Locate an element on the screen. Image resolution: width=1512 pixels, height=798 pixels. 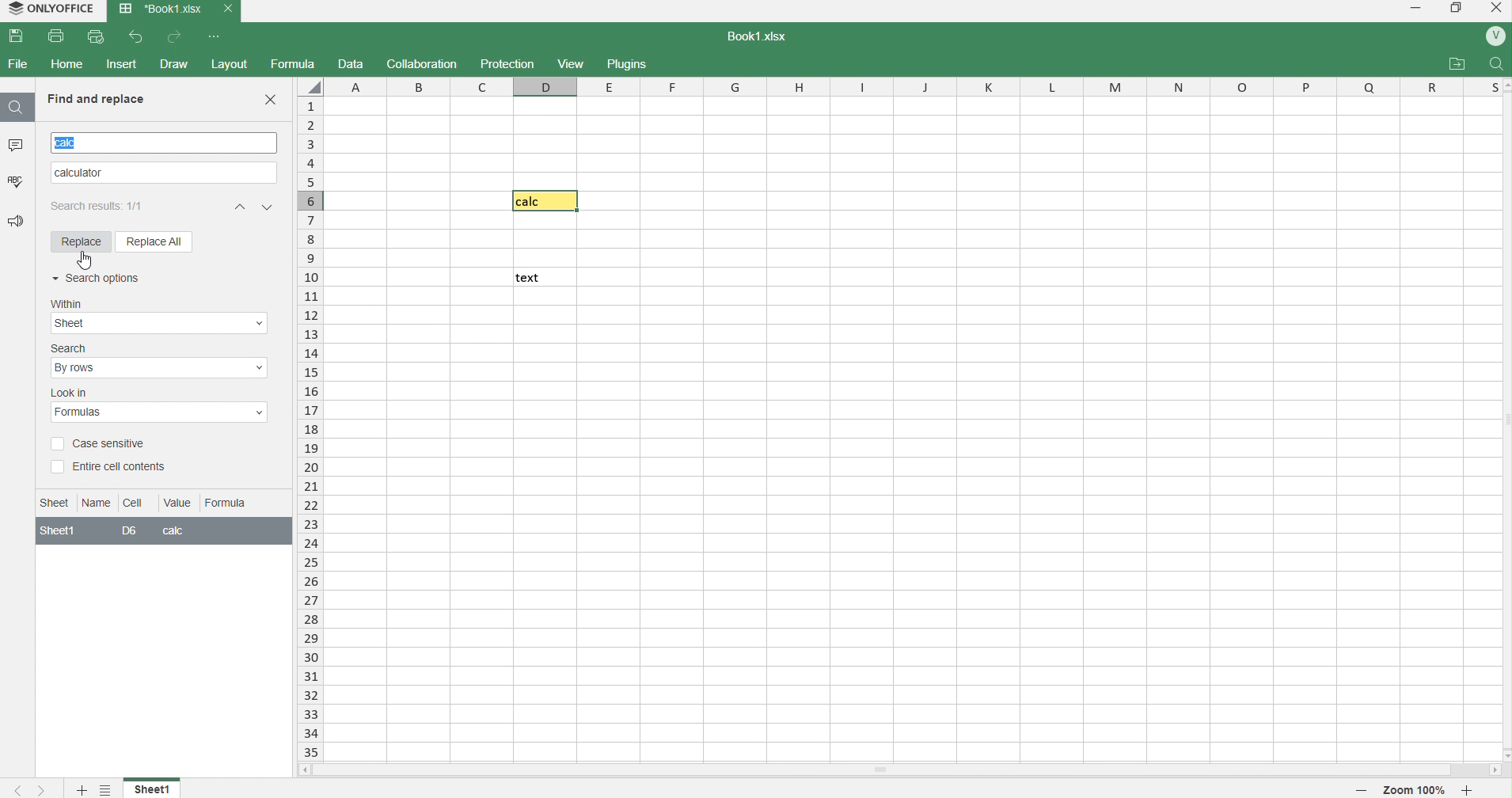
calc is located at coordinates (182, 530).